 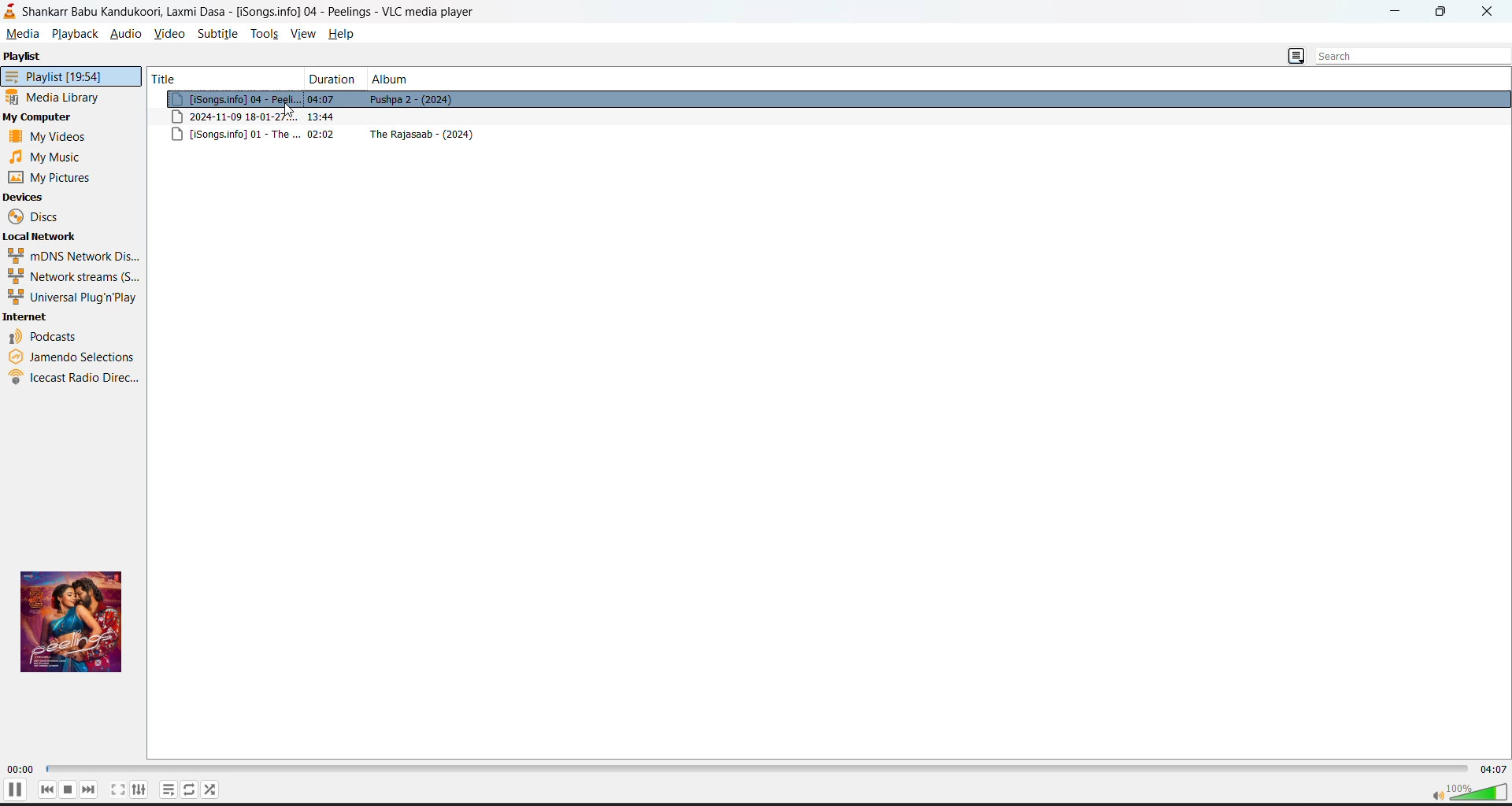 I want to click on help, so click(x=348, y=34).